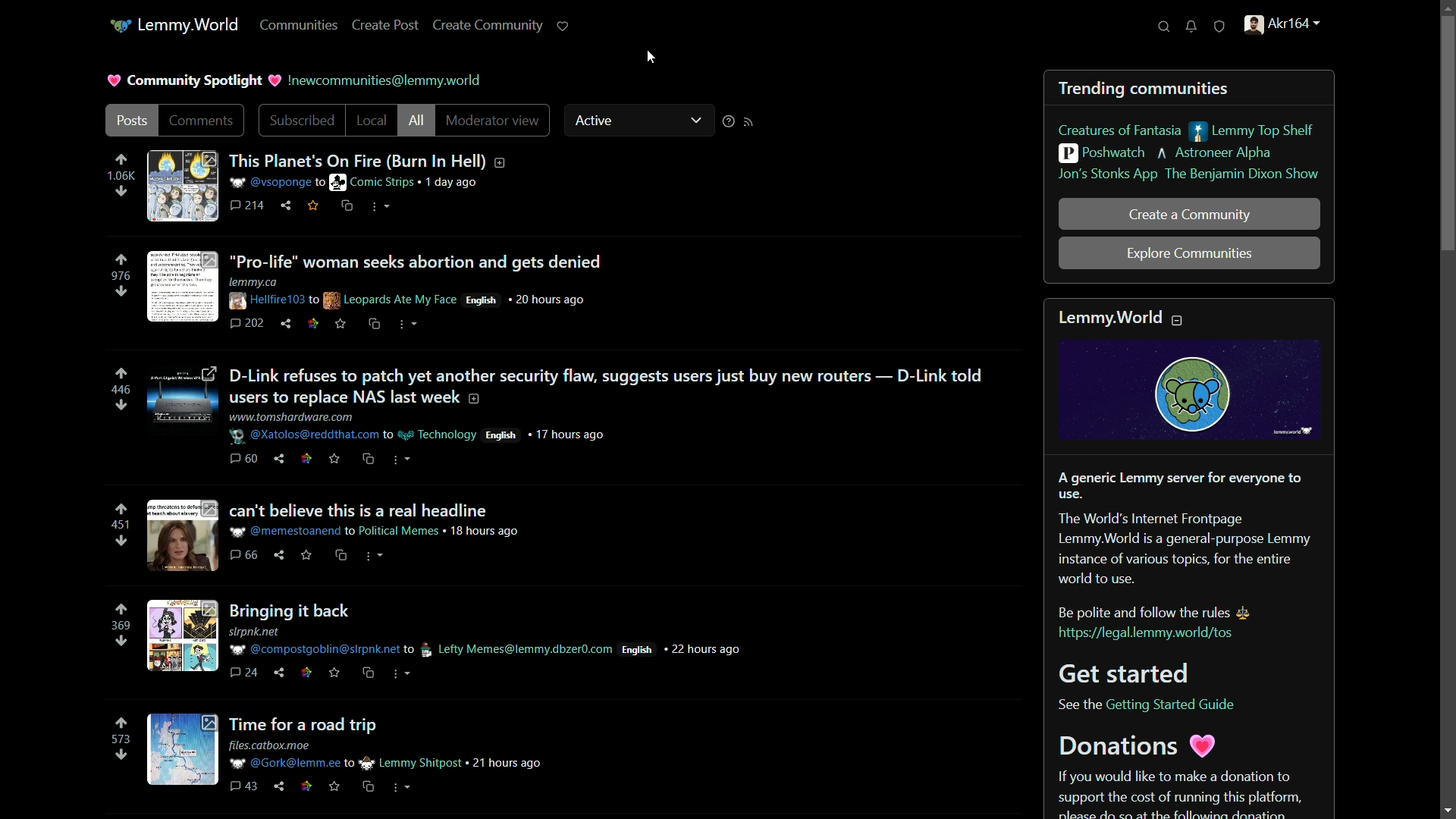 The height and width of the screenshot is (819, 1456). What do you see at coordinates (372, 120) in the screenshot?
I see `local` at bounding box center [372, 120].